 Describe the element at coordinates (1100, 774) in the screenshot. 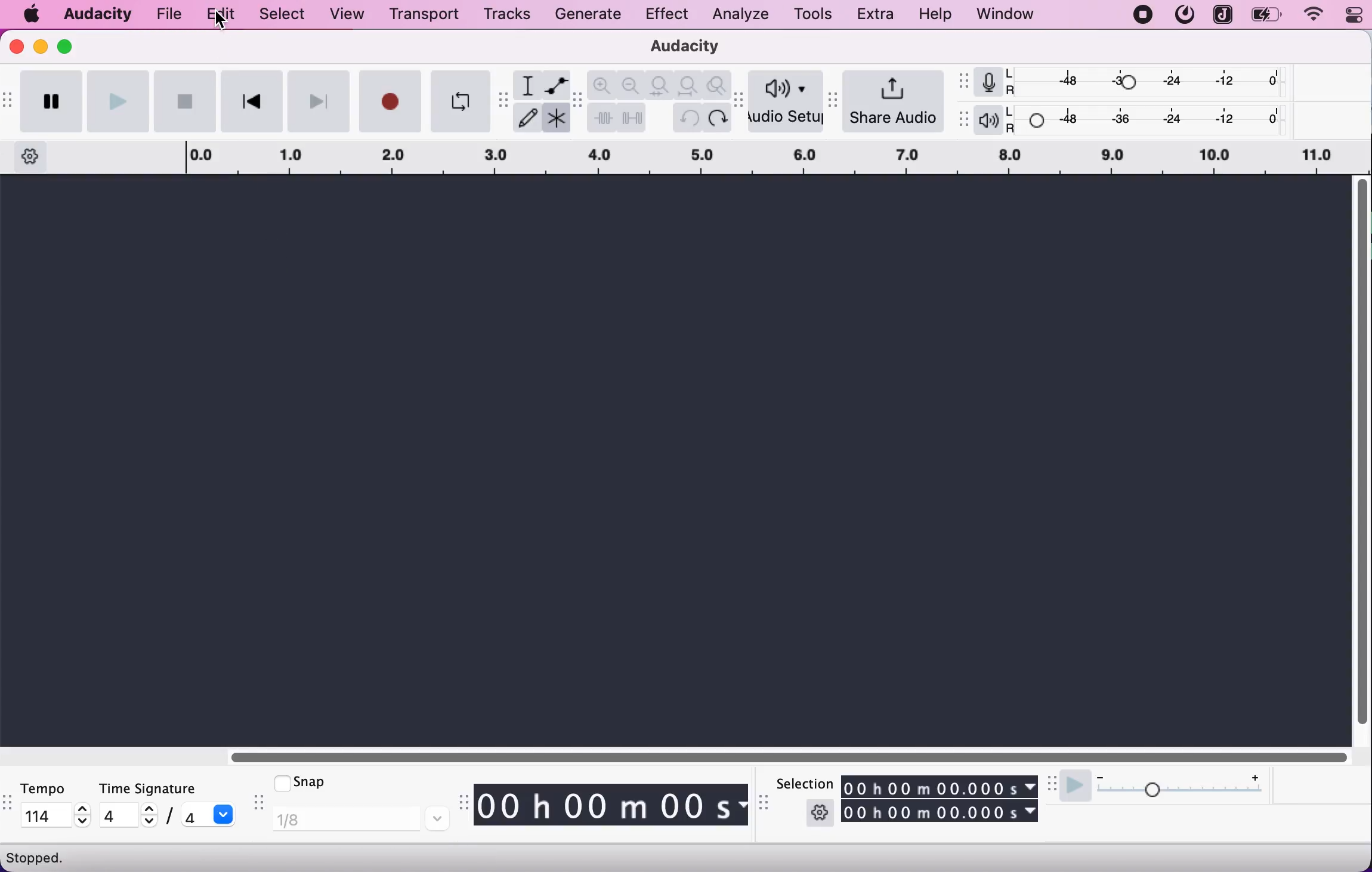

I see `decrease` at that location.